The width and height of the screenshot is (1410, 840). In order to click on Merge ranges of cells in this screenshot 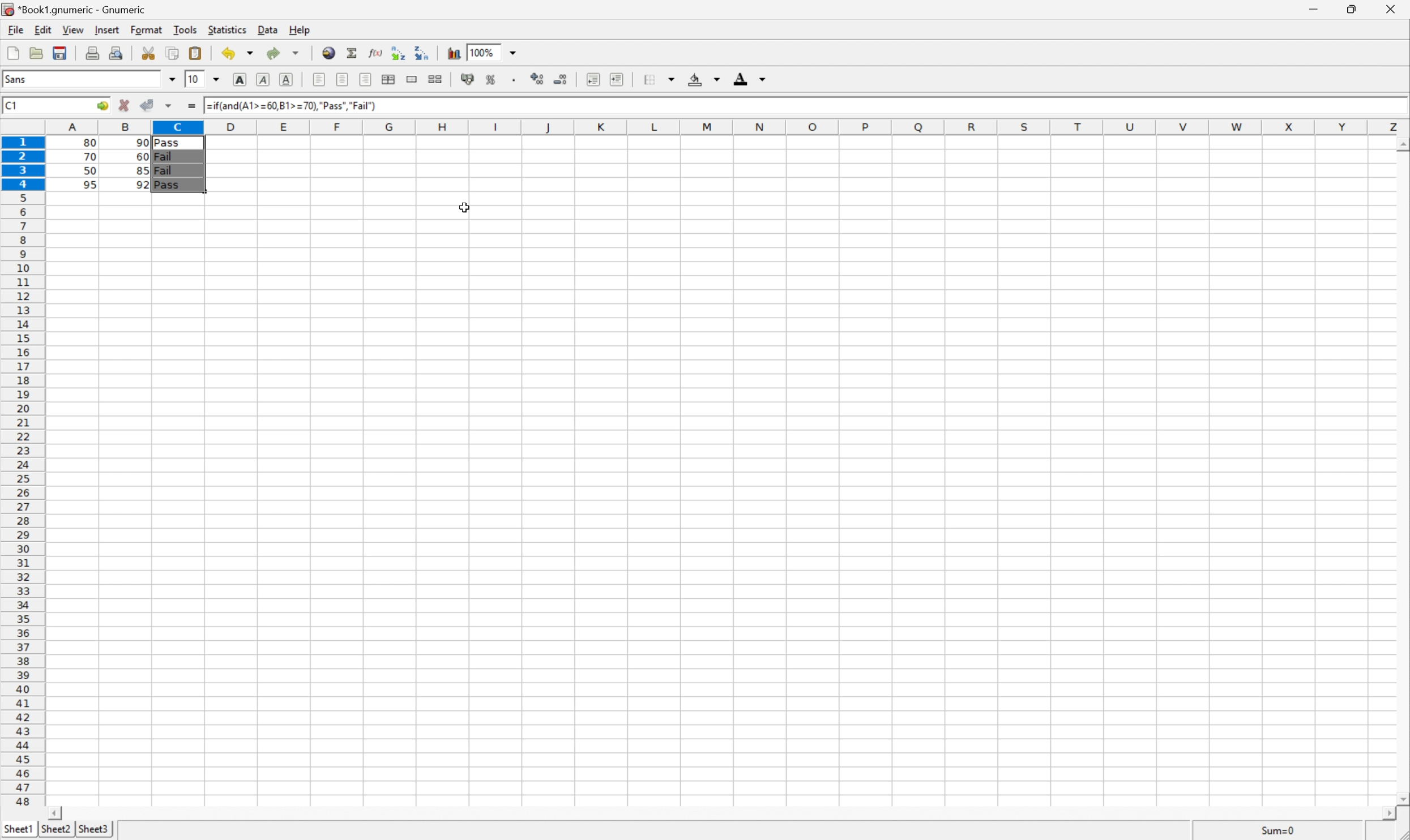, I will do `click(411, 79)`.